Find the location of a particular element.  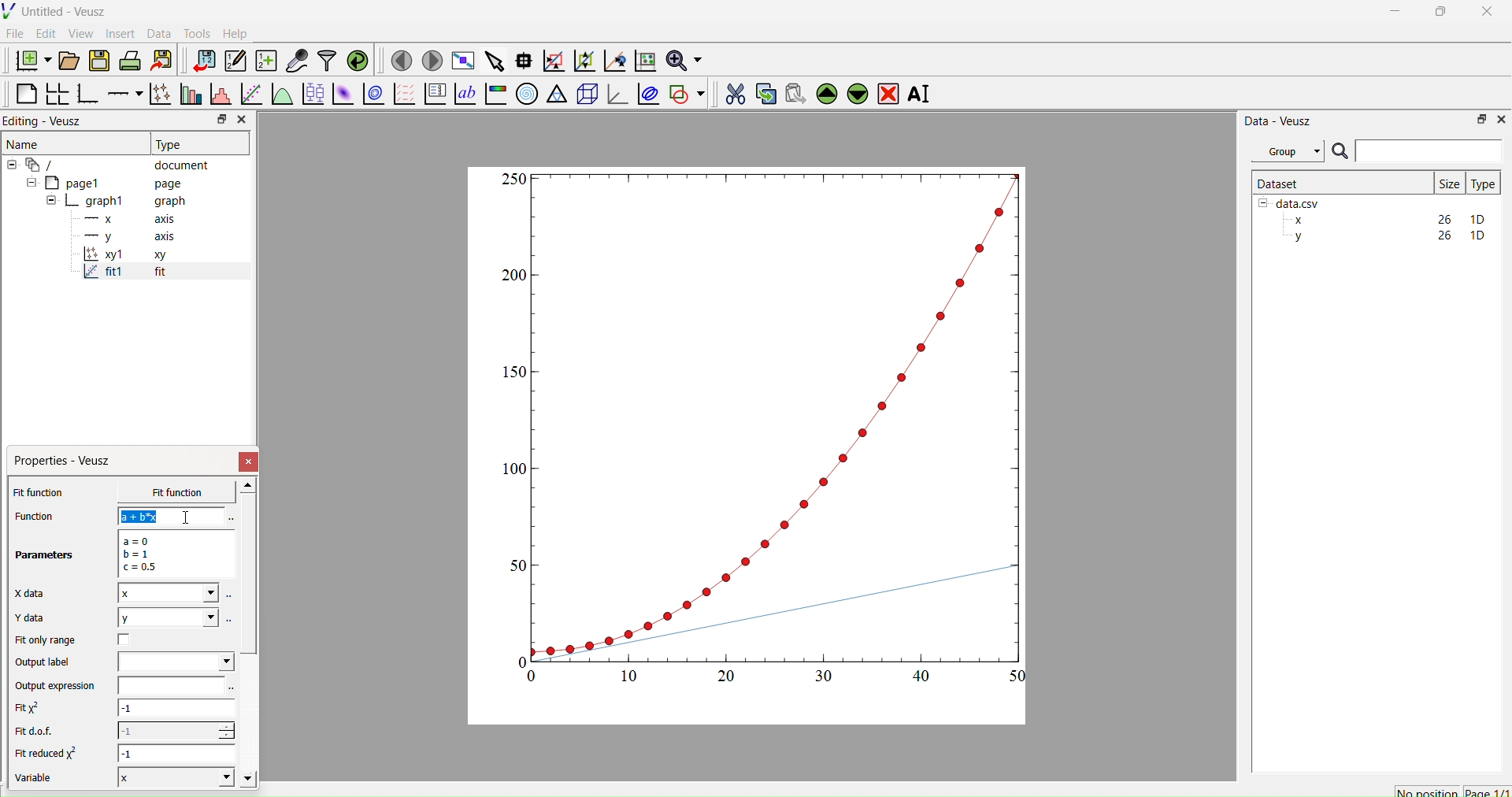

Next page is located at coordinates (428, 61).